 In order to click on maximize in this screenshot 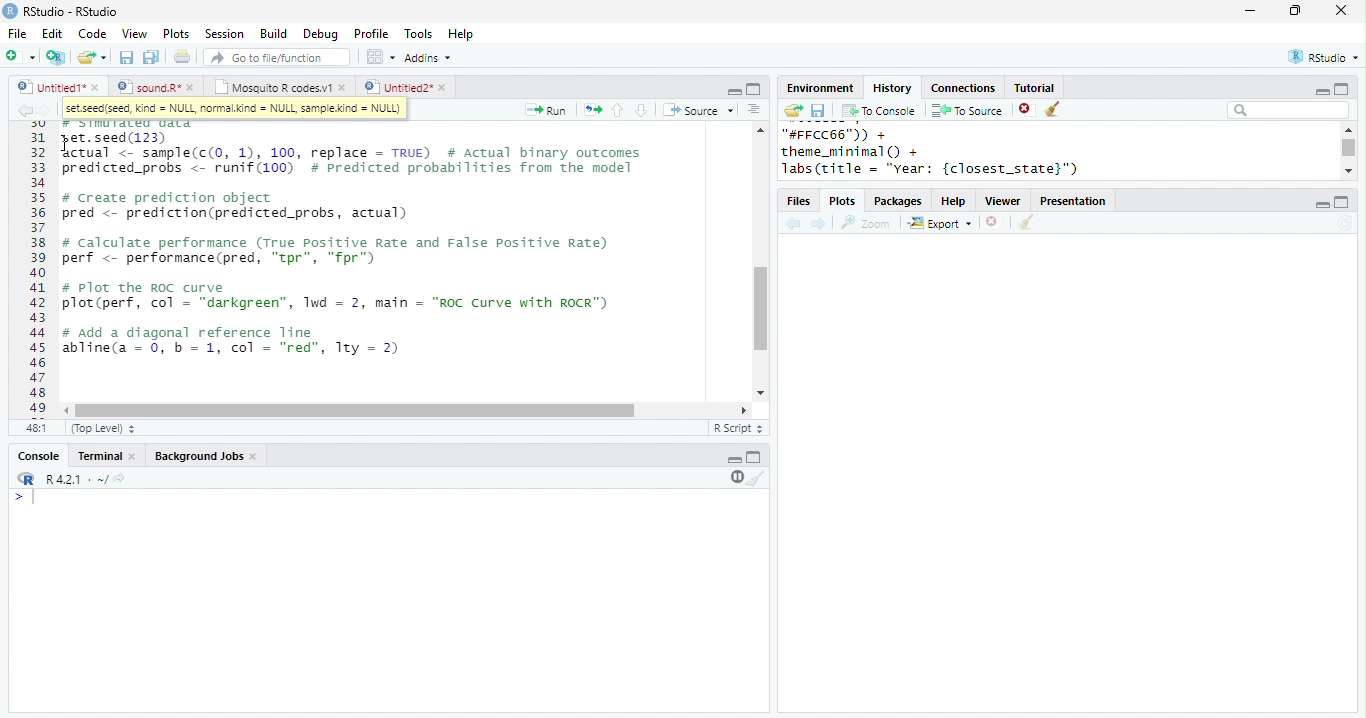, I will do `click(753, 89)`.